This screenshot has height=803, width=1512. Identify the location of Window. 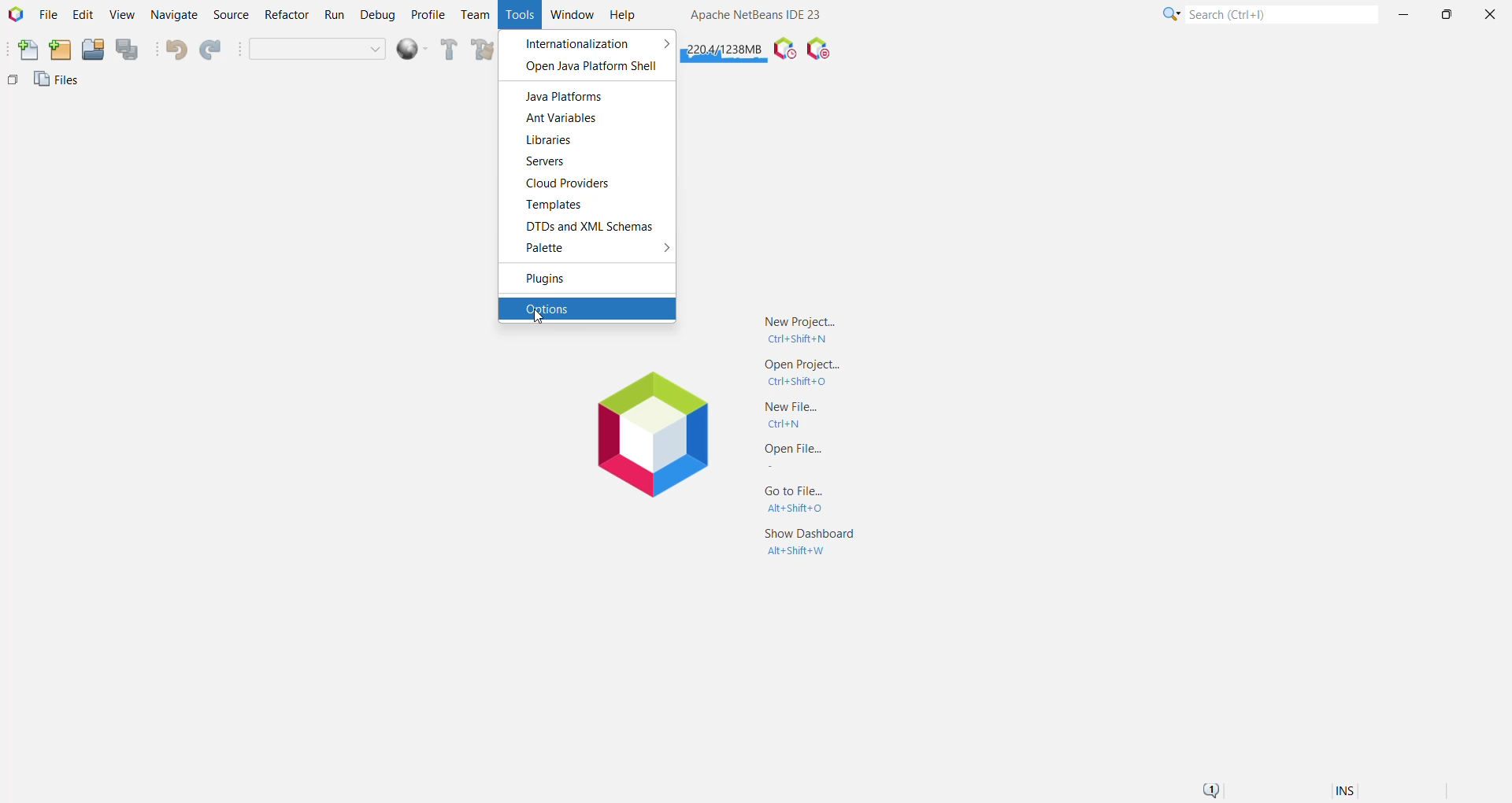
(572, 14).